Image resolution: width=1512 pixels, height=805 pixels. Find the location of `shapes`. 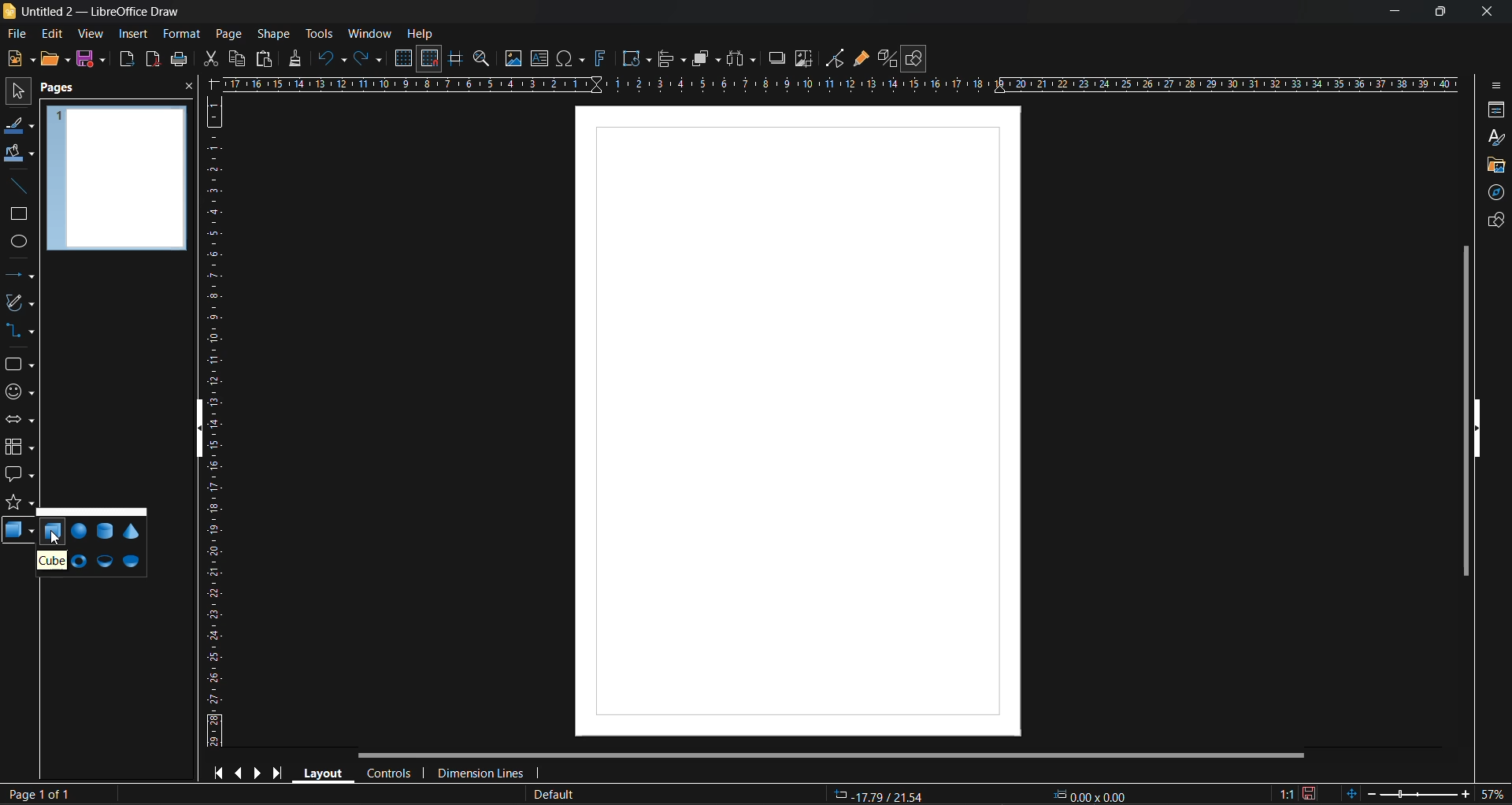

shapes is located at coordinates (1492, 223).